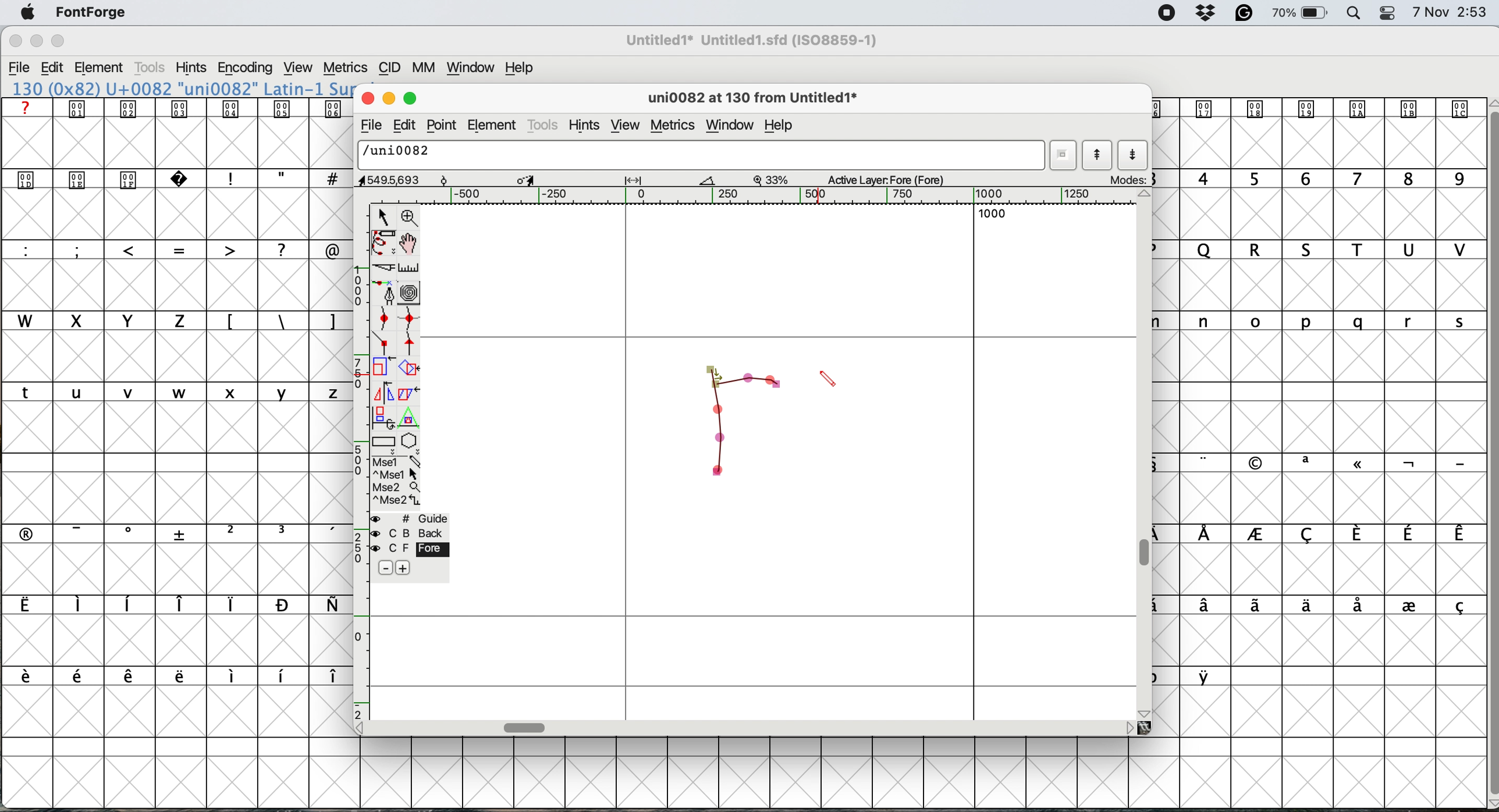  What do you see at coordinates (759, 99) in the screenshot?
I see `glyph details` at bounding box center [759, 99].